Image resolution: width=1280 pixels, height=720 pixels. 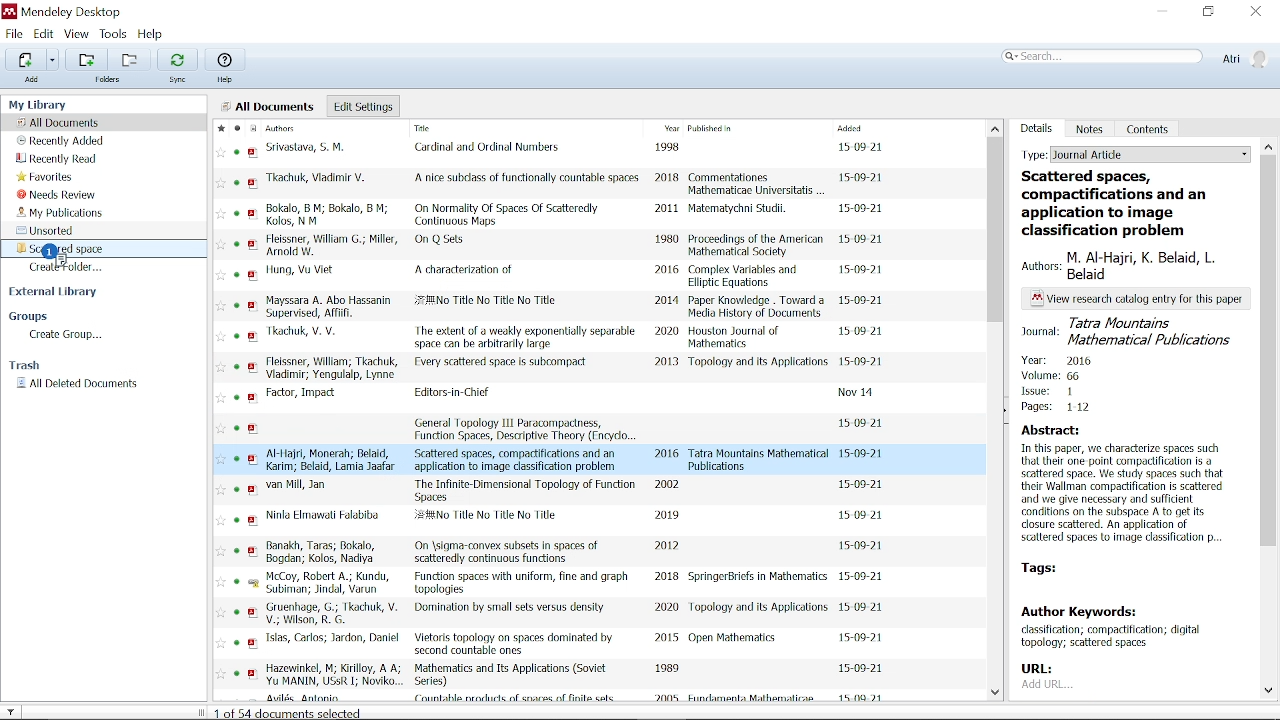 What do you see at coordinates (57, 160) in the screenshot?
I see `Recently read` at bounding box center [57, 160].